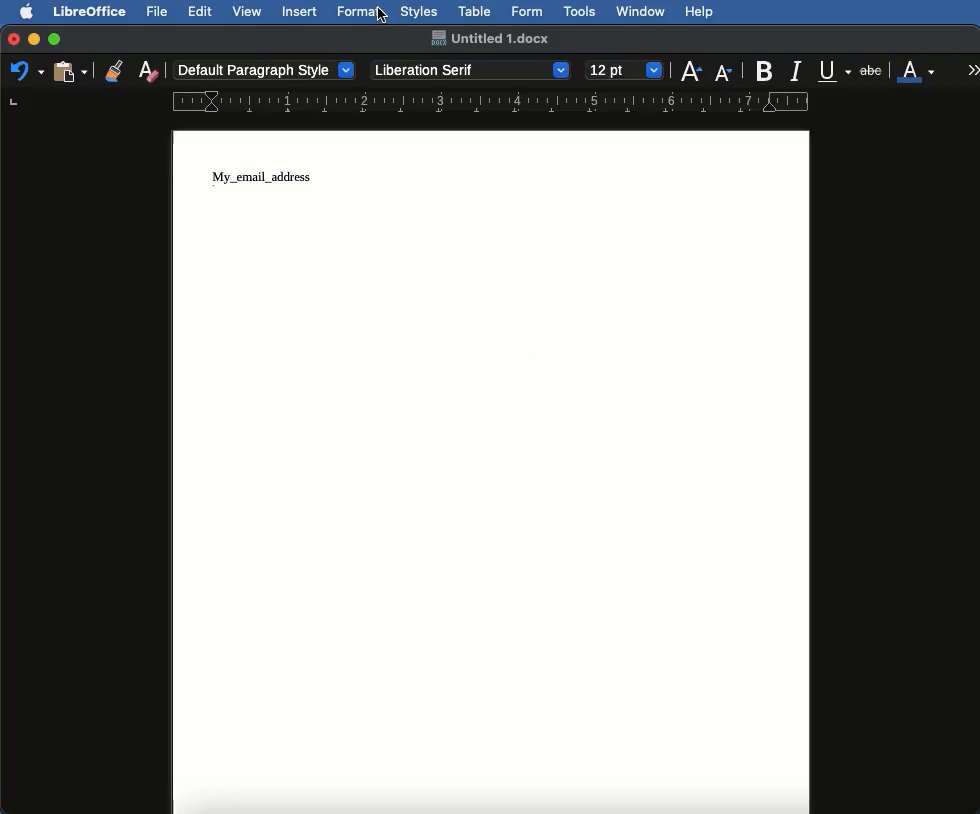 The height and width of the screenshot is (814, 980). I want to click on Help, so click(699, 12).